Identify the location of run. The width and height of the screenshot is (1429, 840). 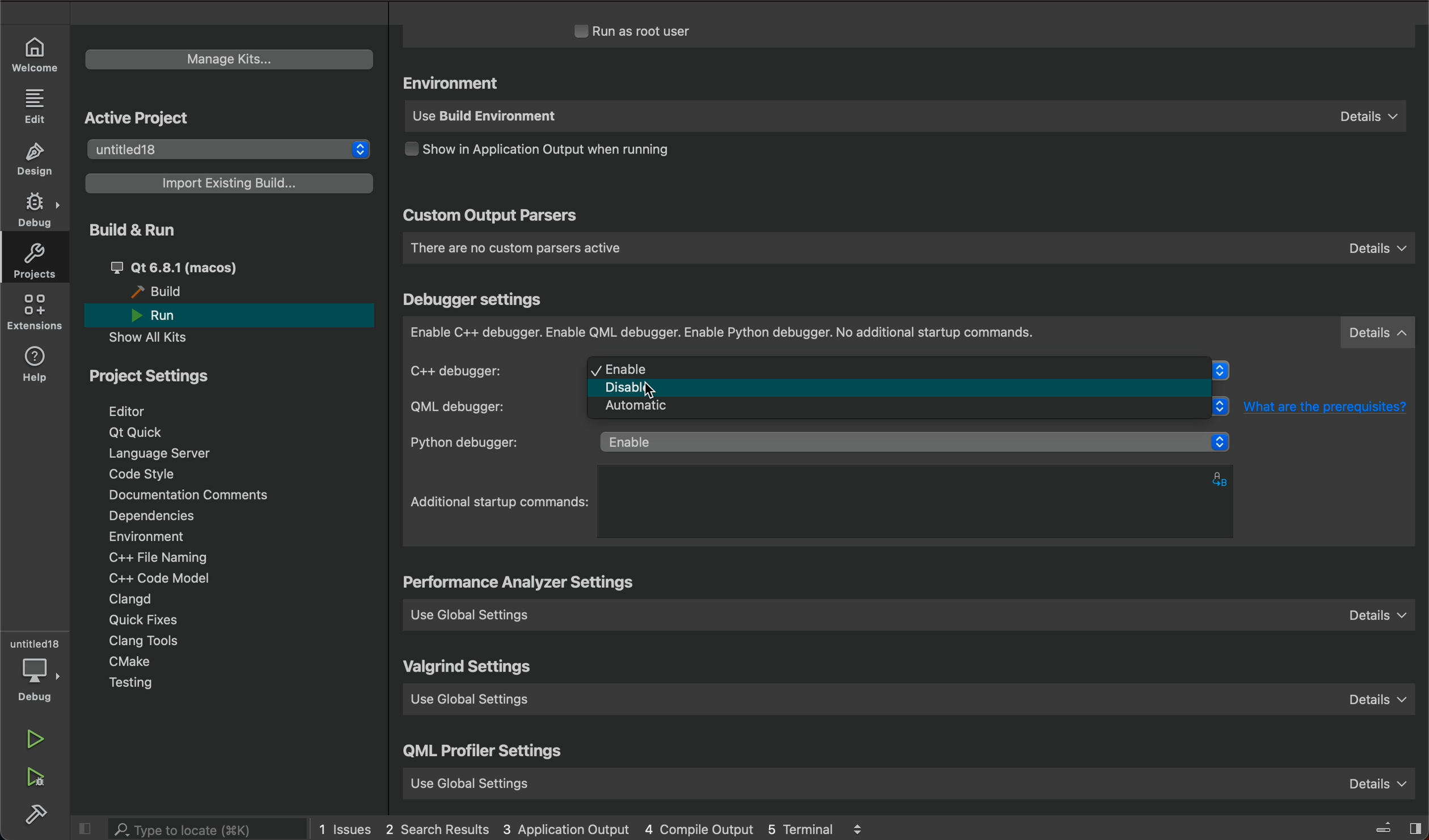
(35, 738).